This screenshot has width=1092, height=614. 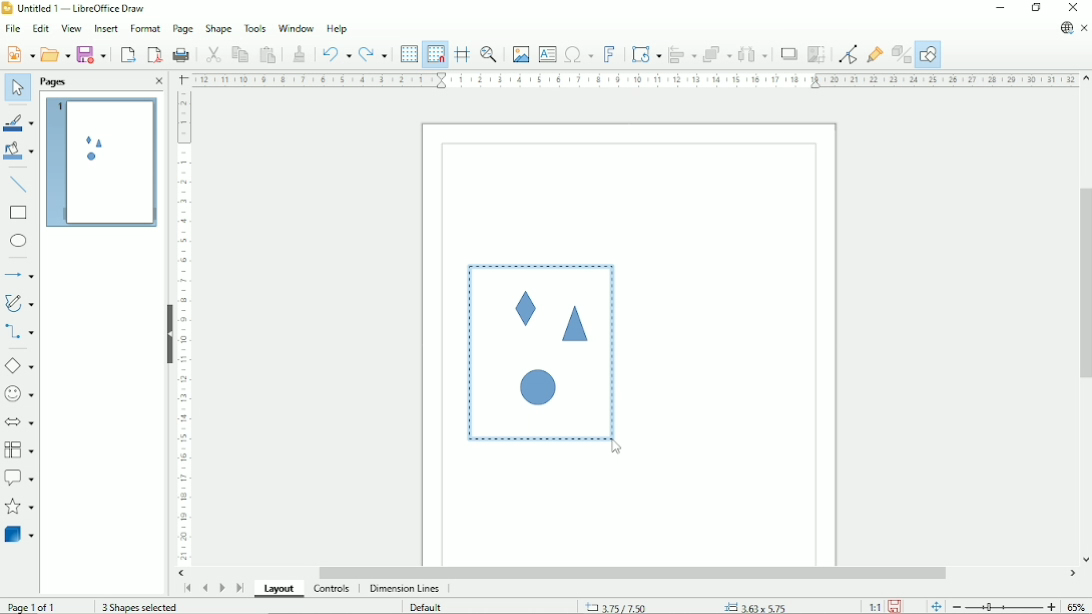 I want to click on Horizontal scroll button, so click(x=1072, y=575).